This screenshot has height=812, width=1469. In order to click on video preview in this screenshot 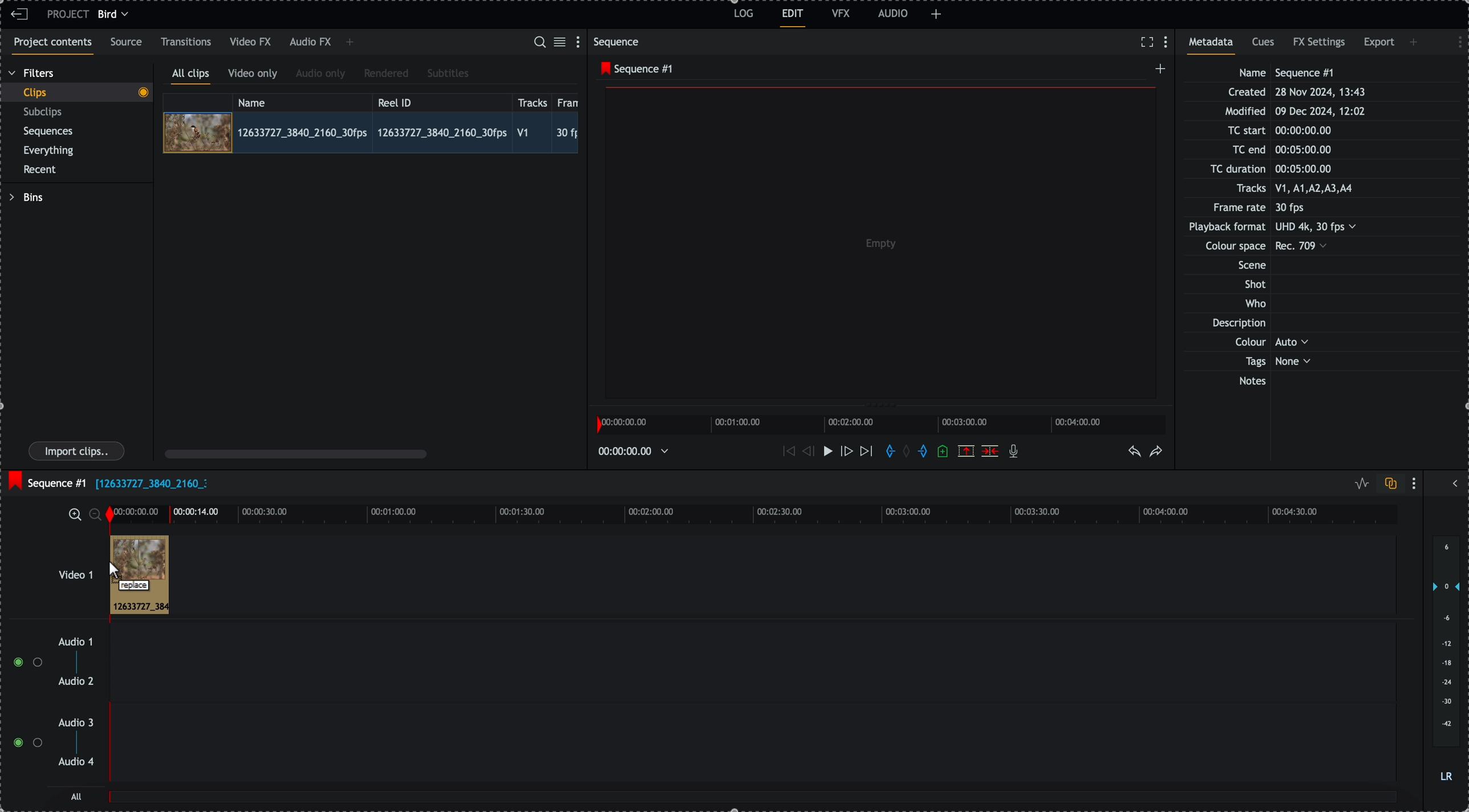, I will do `click(876, 245)`.